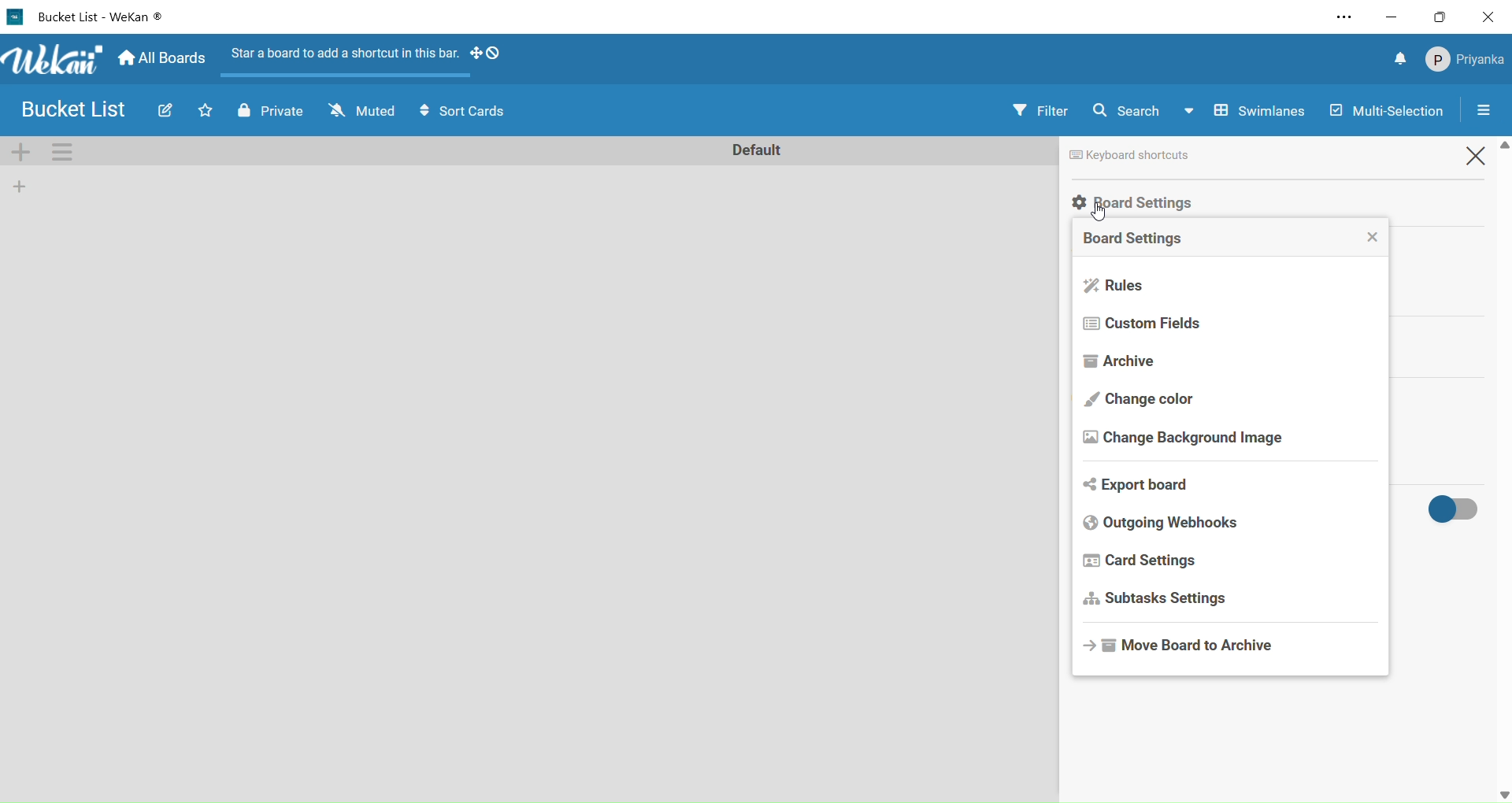 Image resolution: width=1512 pixels, height=803 pixels. Describe the element at coordinates (1231, 561) in the screenshot. I see `card settings` at that location.